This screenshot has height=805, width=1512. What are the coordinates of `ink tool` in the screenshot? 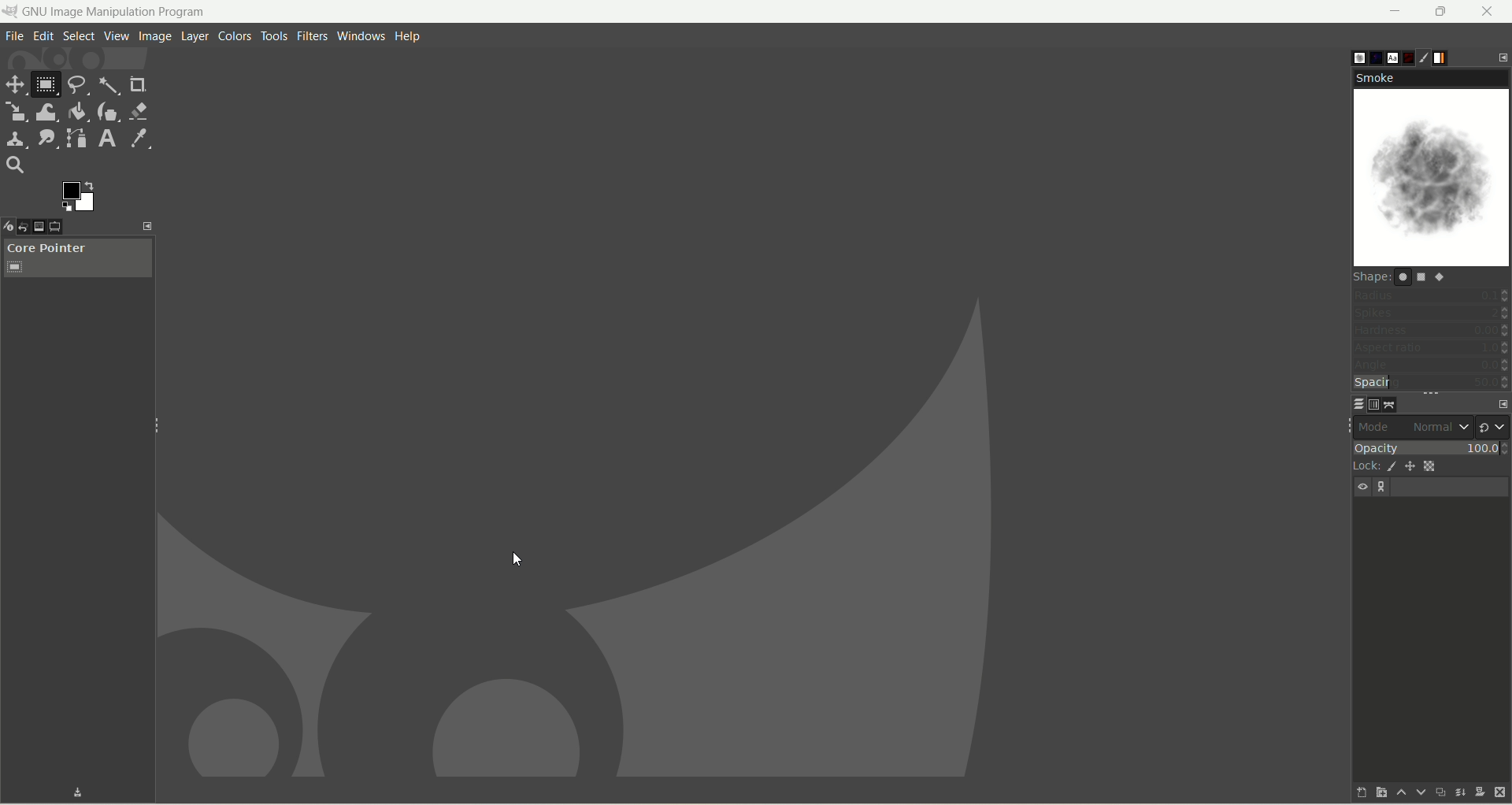 It's located at (108, 112).